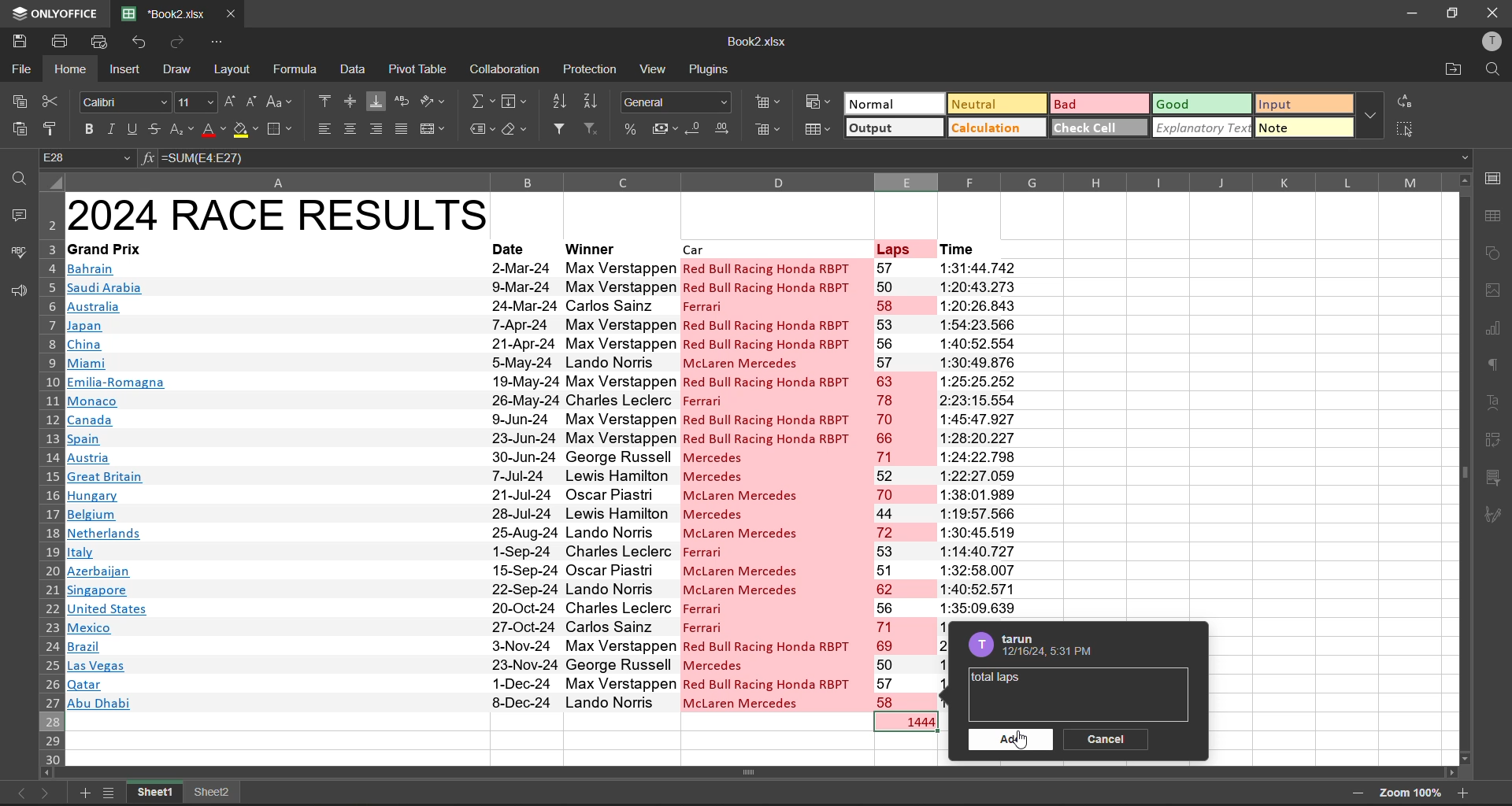  Describe the element at coordinates (713, 71) in the screenshot. I see `plugins` at that location.